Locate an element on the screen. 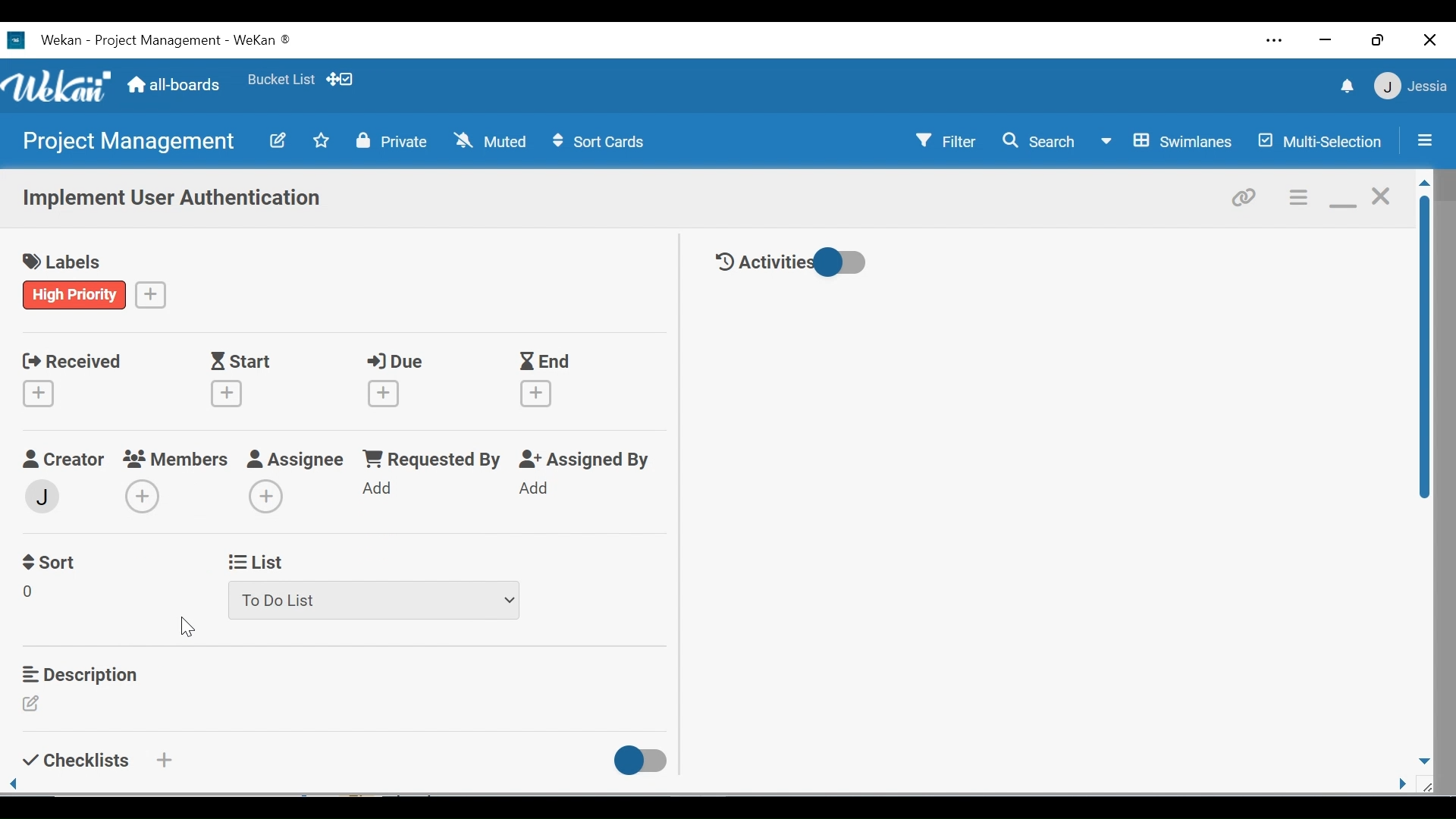   Due is located at coordinates (390, 381).